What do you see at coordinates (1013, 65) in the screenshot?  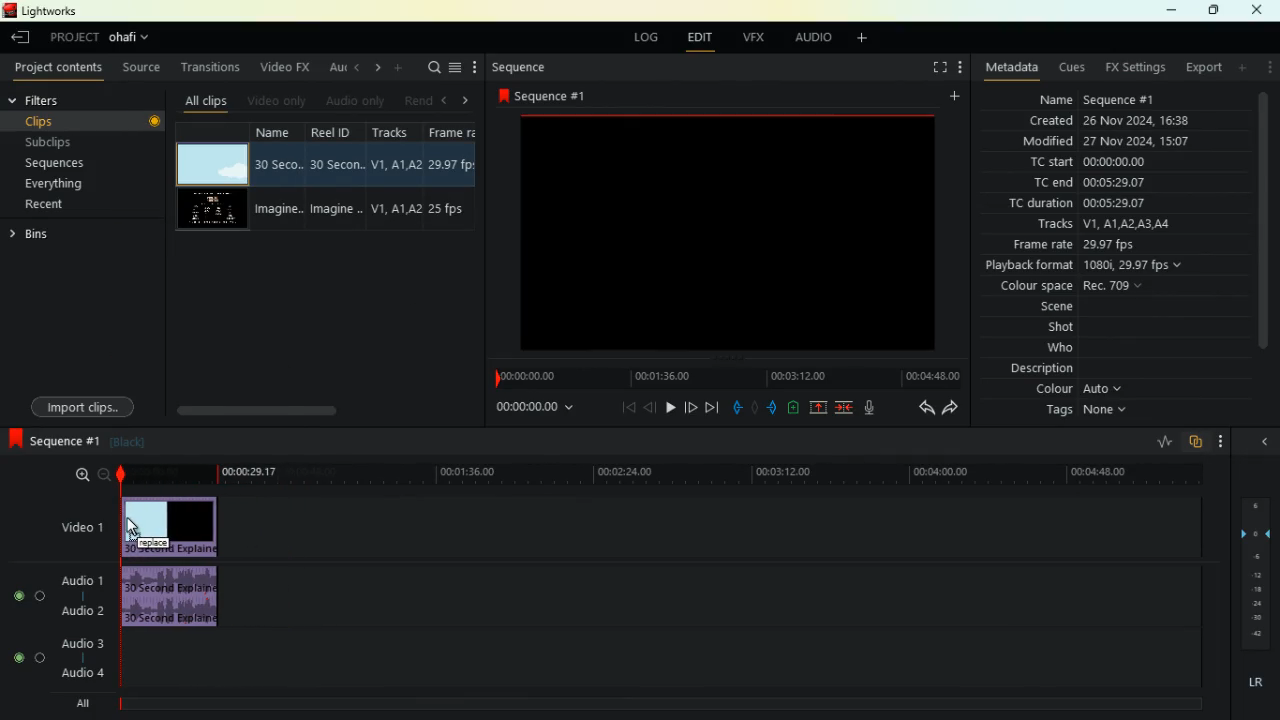 I see `metadata` at bounding box center [1013, 65].